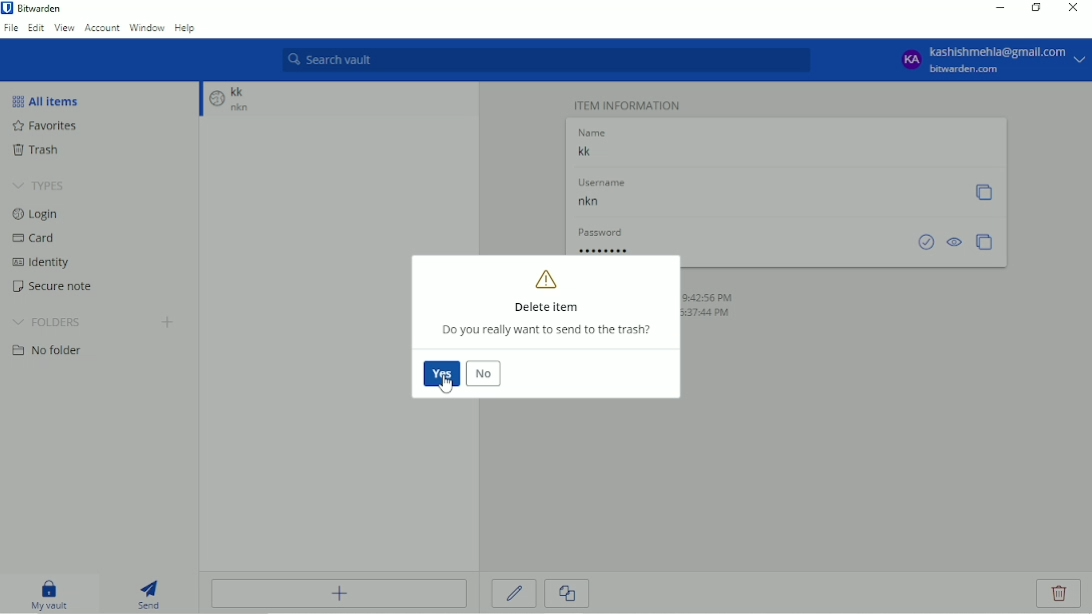 Image resolution: width=1092 pixels, height=614 pixels. Describe the element at coordinates (719, 314) in the screenshot. I see `37:44 PM` at that location.